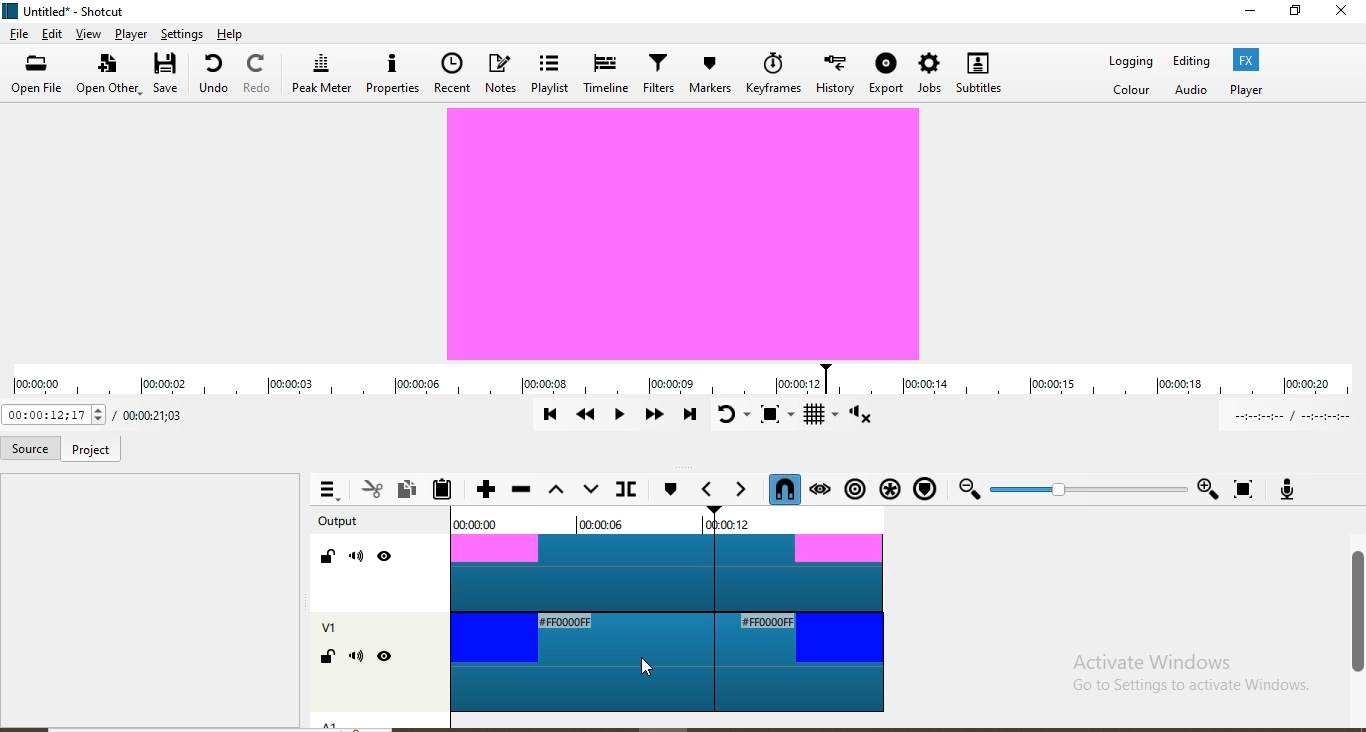 This screenshot has height=732, width=1366. I want to click on , so click(332, 489).